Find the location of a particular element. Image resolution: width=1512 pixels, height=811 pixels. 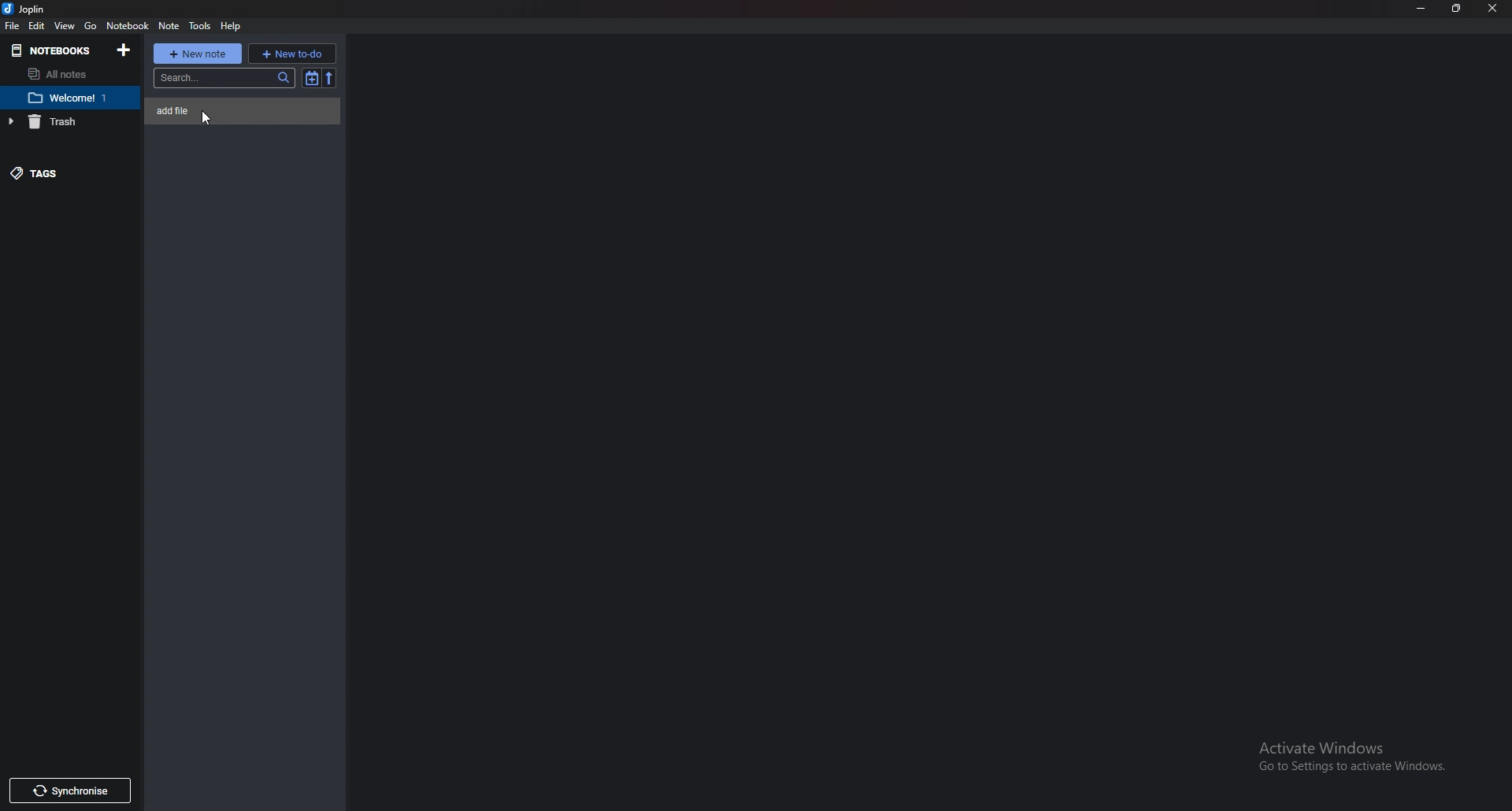

New note is located at coordinates (197, 52).